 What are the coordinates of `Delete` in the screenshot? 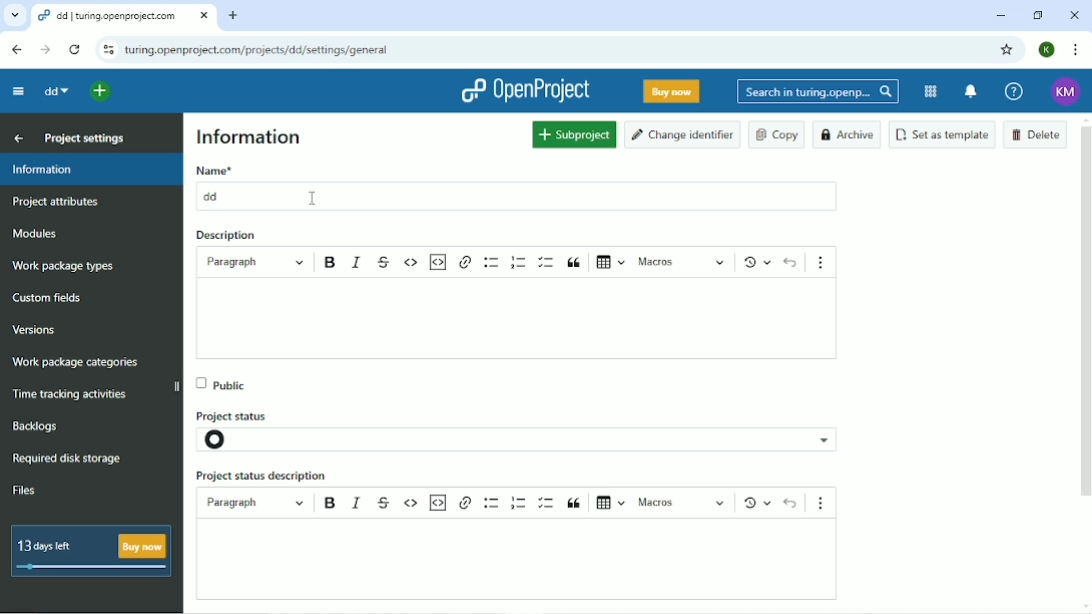 It's located at (1036, 134).